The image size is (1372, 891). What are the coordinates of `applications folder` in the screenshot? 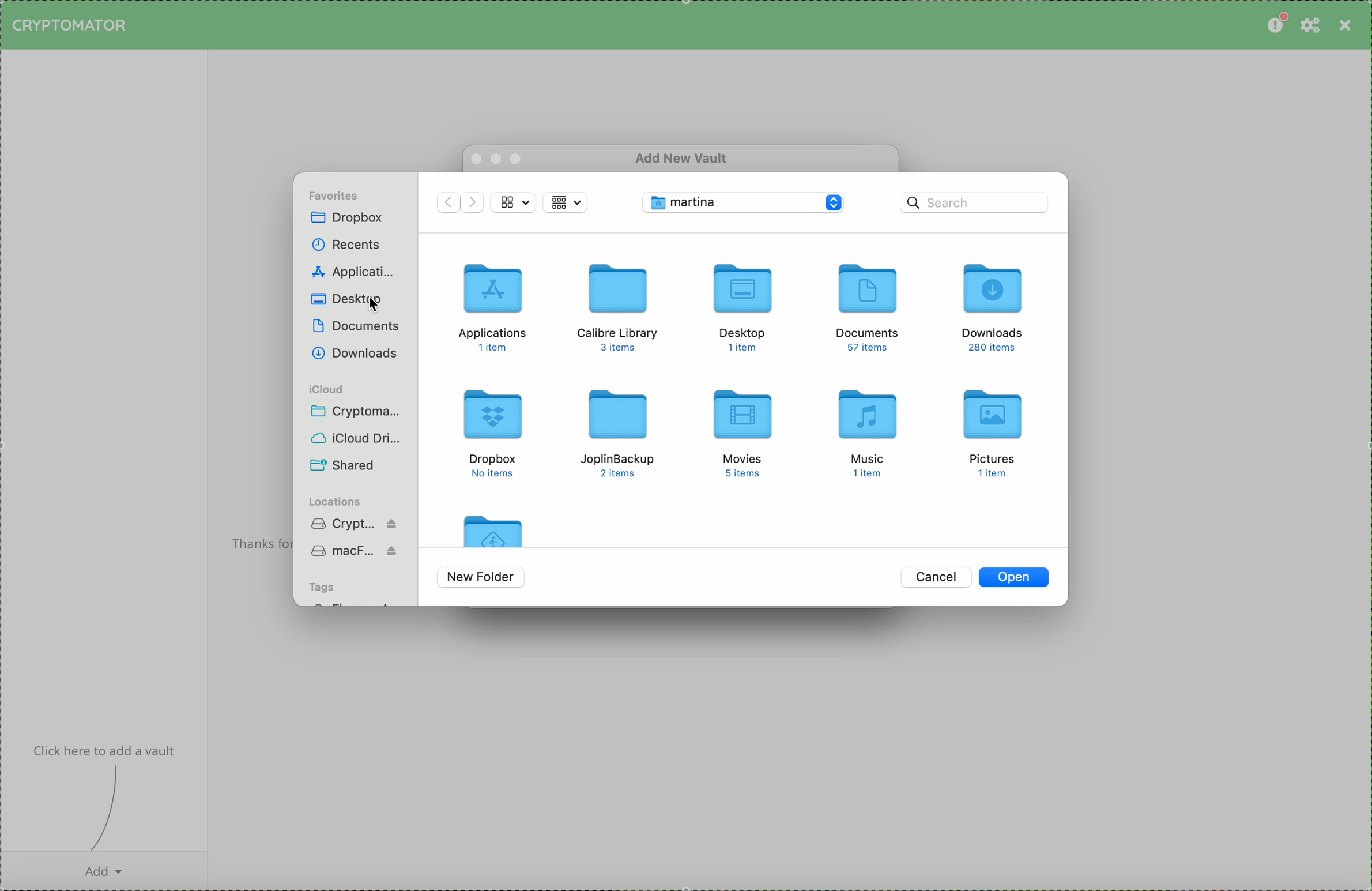 It's located at (489, 305).